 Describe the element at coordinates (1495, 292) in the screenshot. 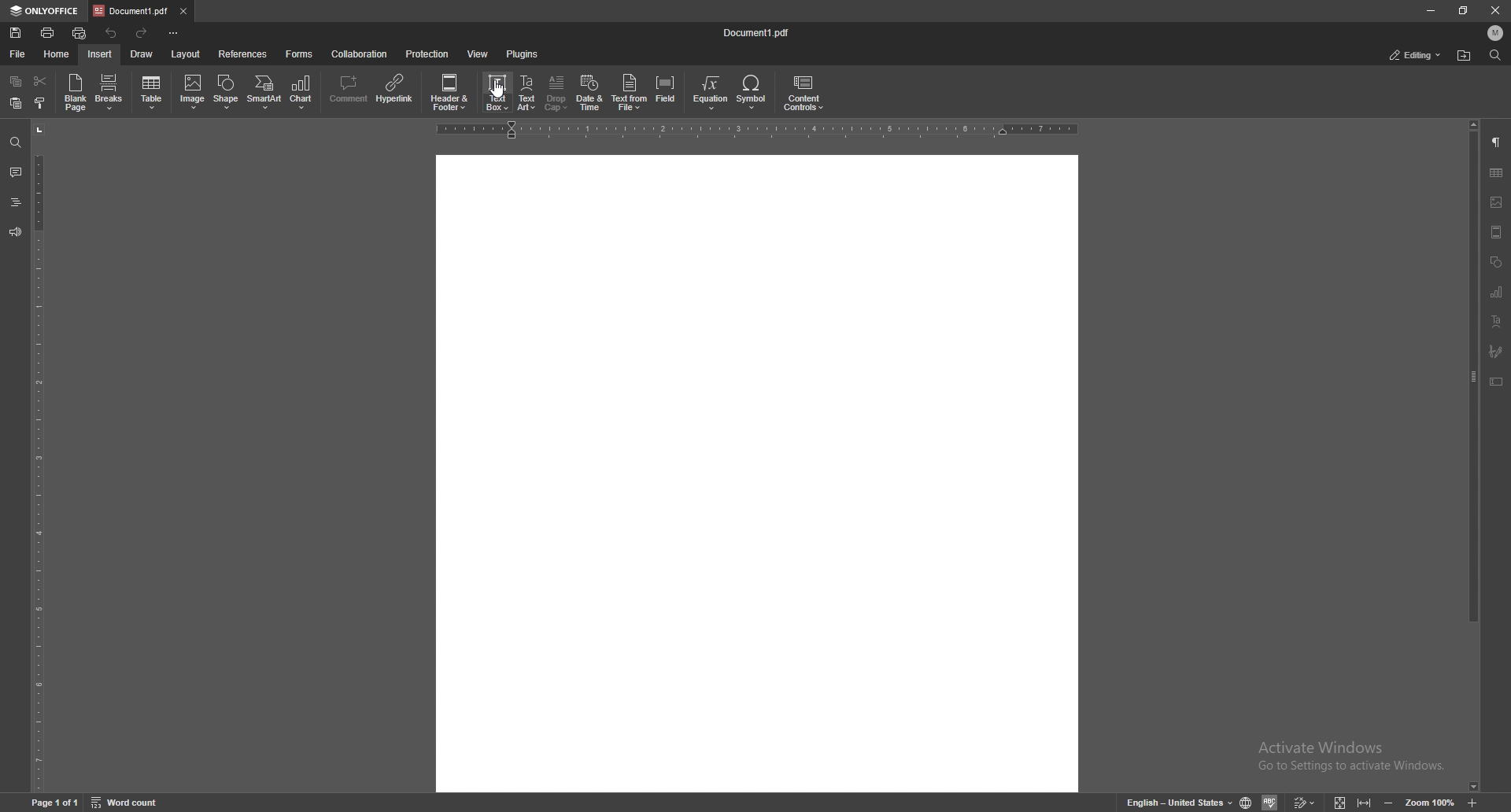

I see `chart` at that location.